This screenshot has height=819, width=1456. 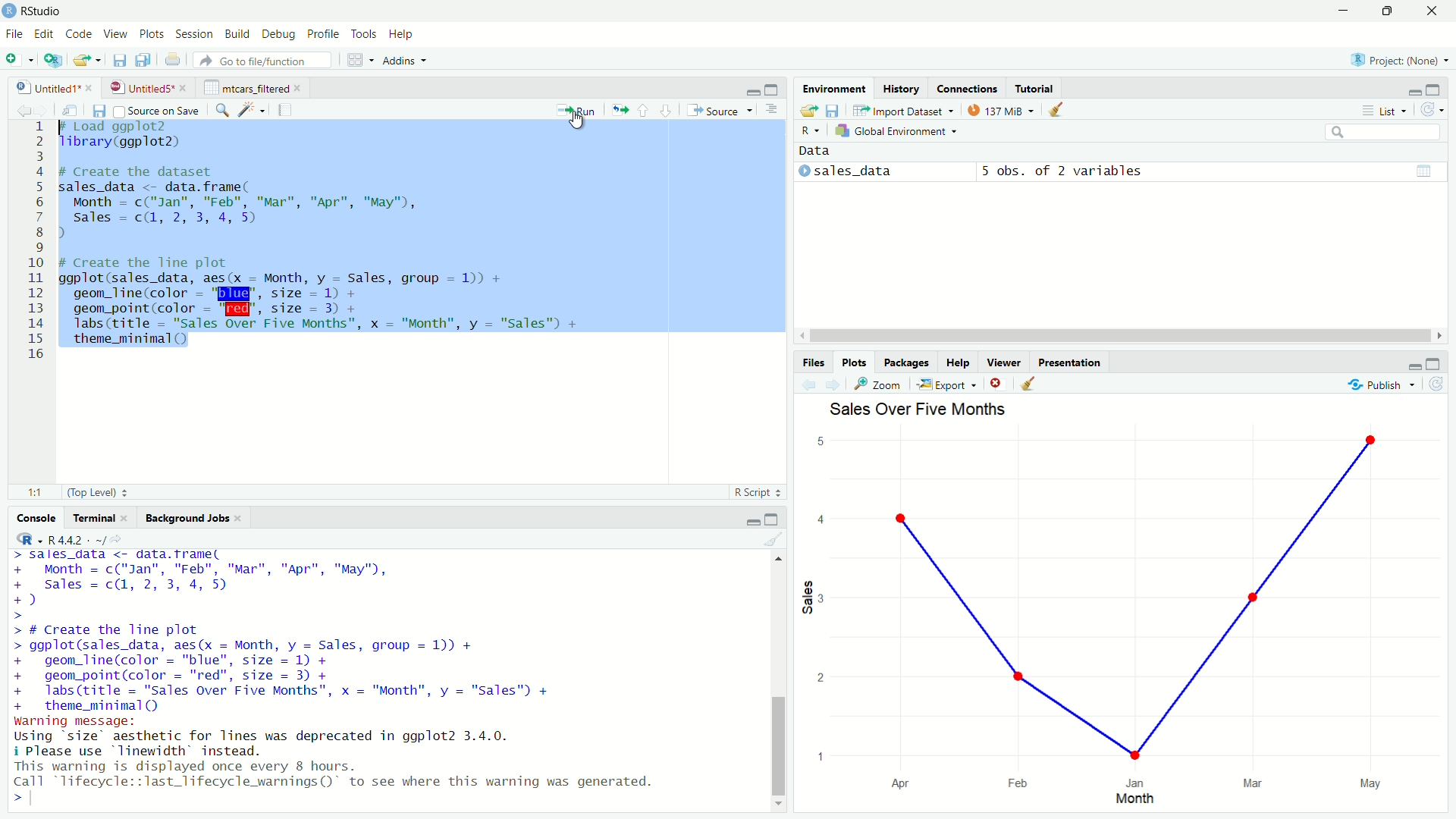 What do you see at coordinates (856, 362) in the screenshot?
I see `plots` at bounding box center [856, 362].